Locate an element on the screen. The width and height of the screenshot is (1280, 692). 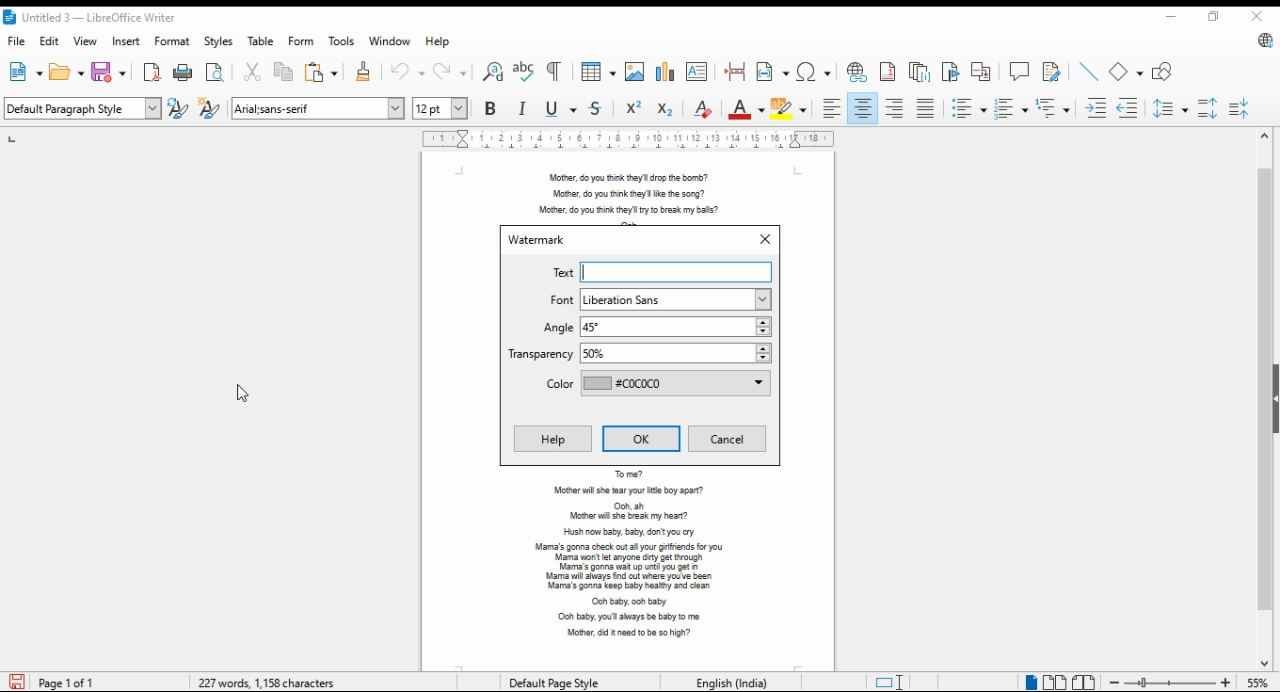
zoom factor is located at coordinates (1259, 683).